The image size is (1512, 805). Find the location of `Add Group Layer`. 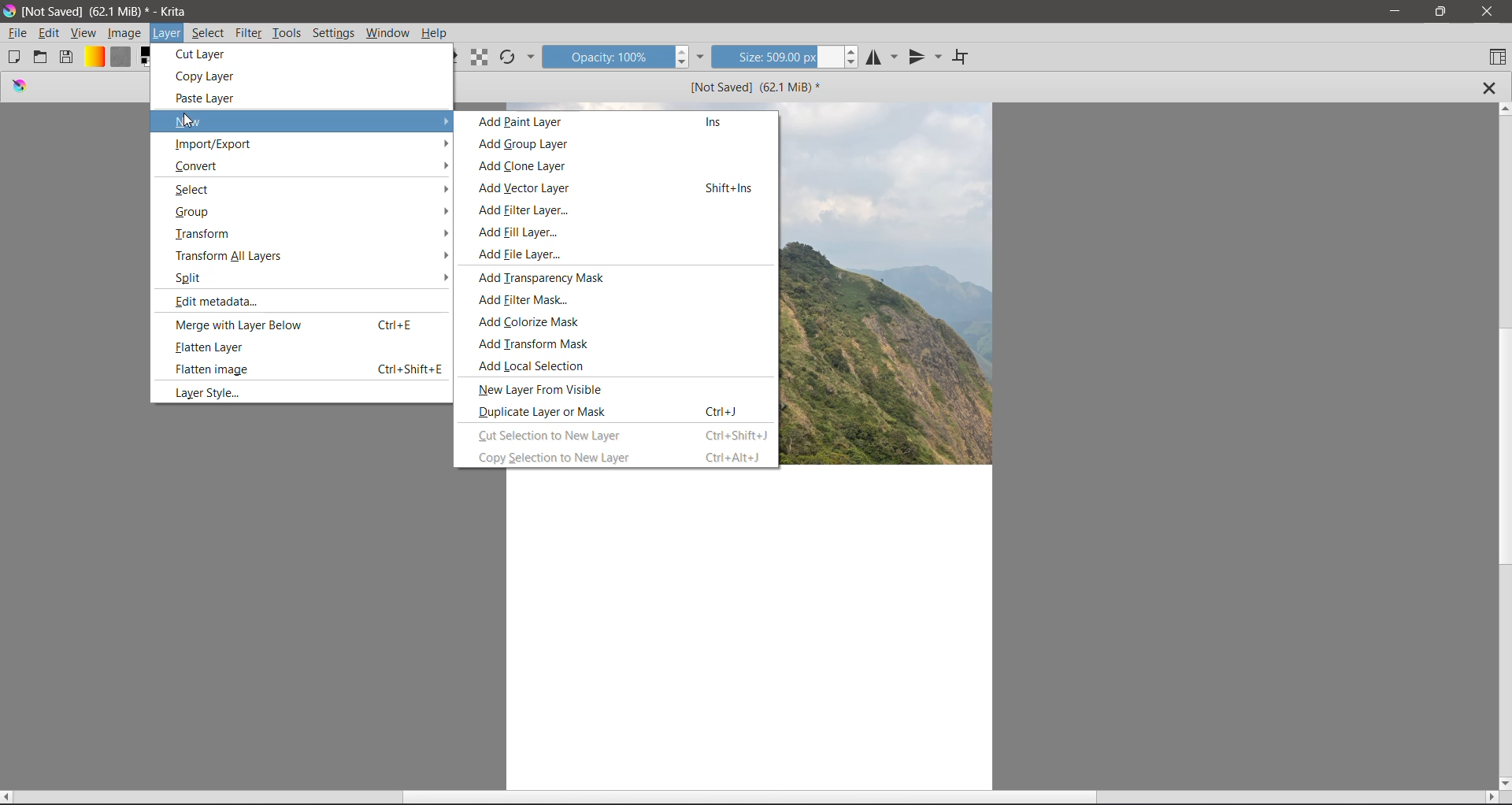

Add Group Layer is located at coordinates (528, 145).